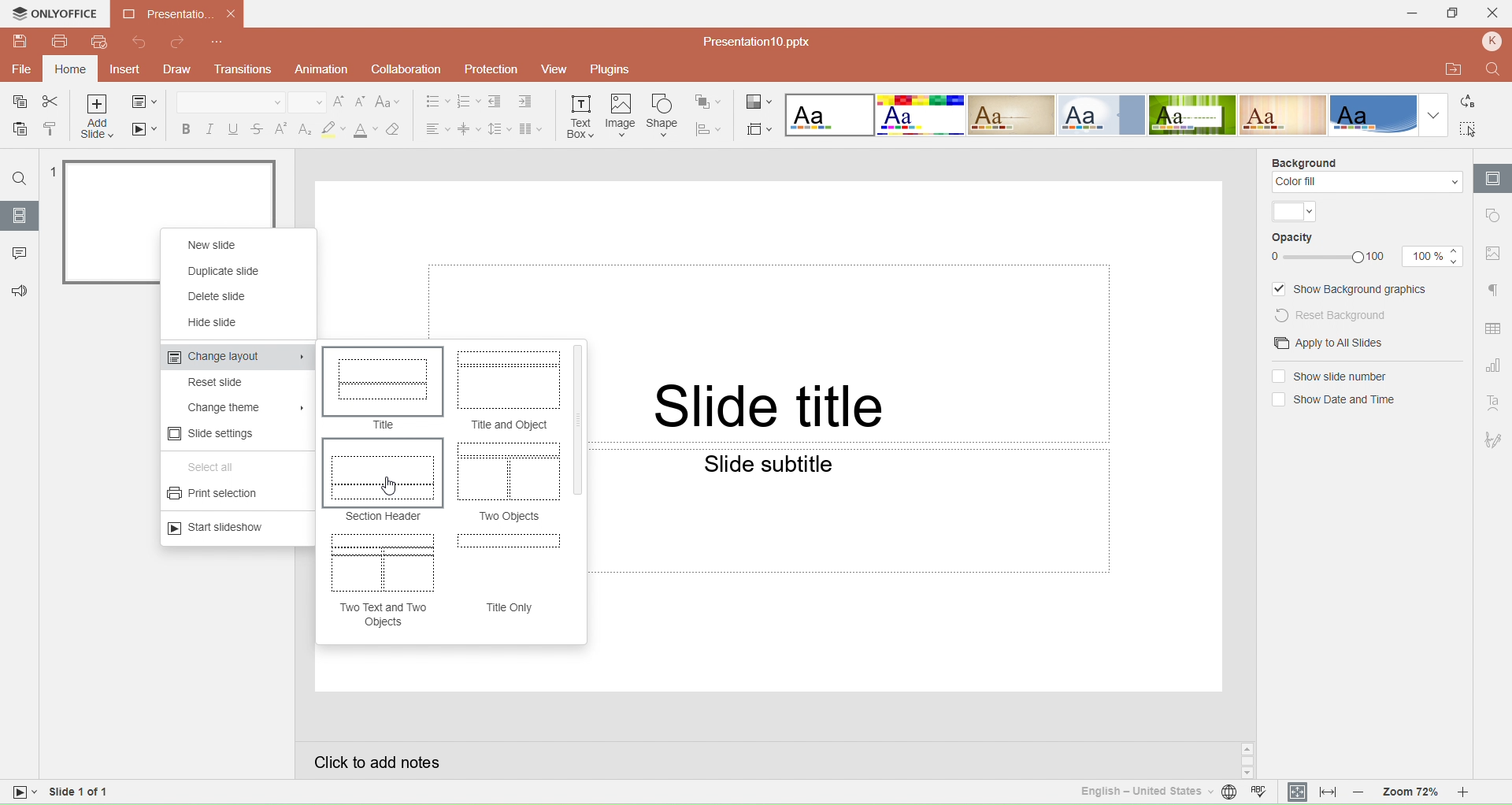  I want to click on File, so click(22, 69).